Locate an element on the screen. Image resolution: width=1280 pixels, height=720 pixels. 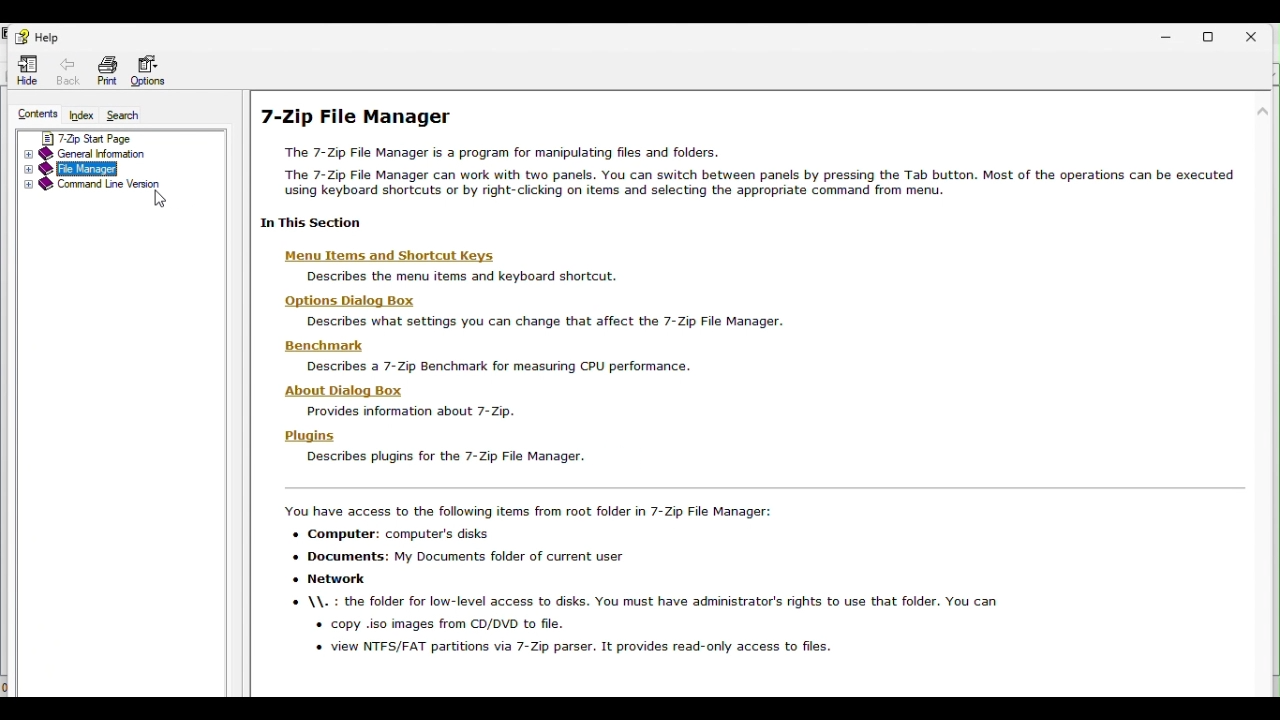
back is located at coordinates (72, 73).